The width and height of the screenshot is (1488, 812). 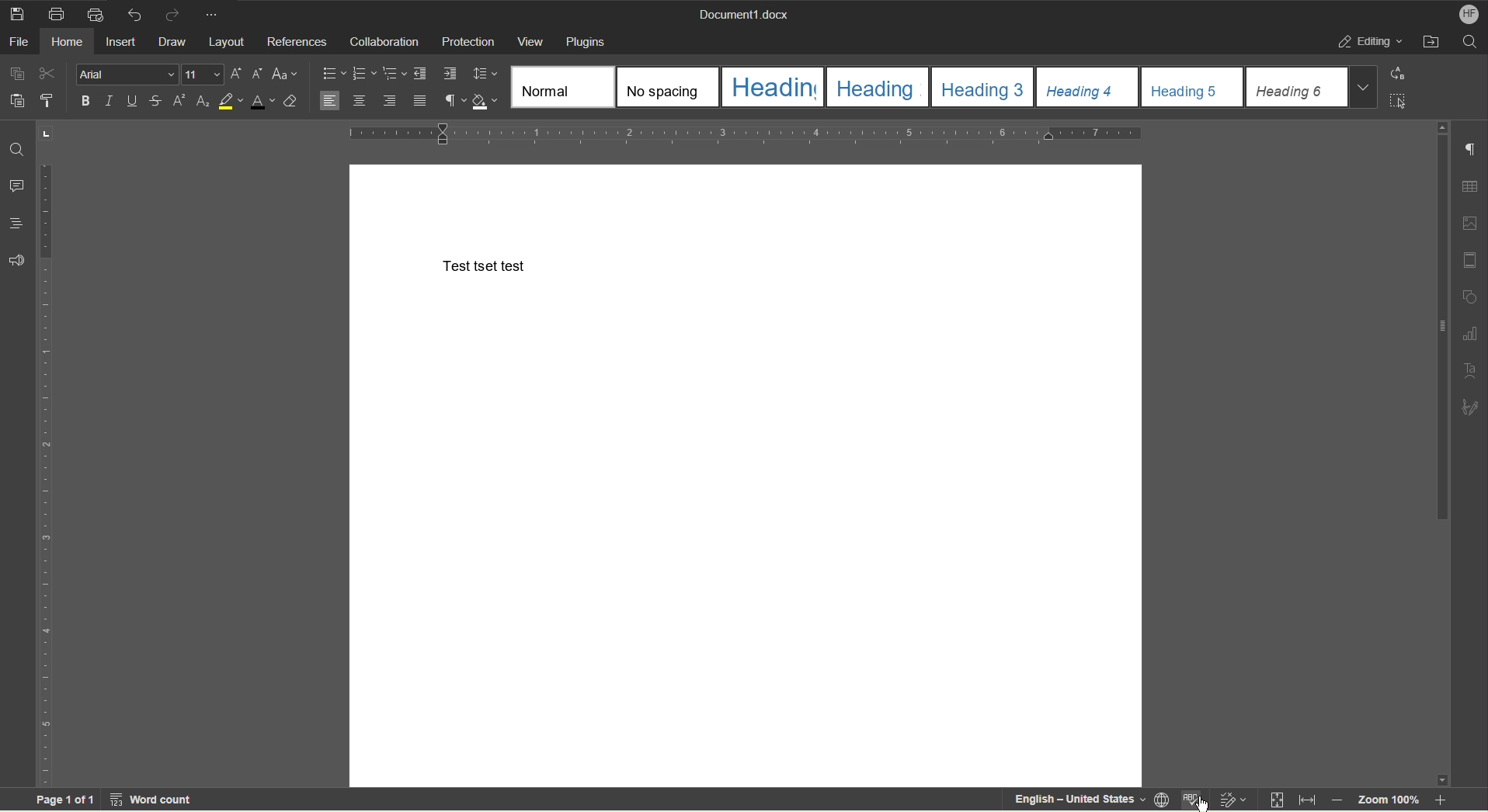 What do you see at coordinates (1193, 88) in the screenshot?
I see `Heading 5` at bounding box center [1193, 88].